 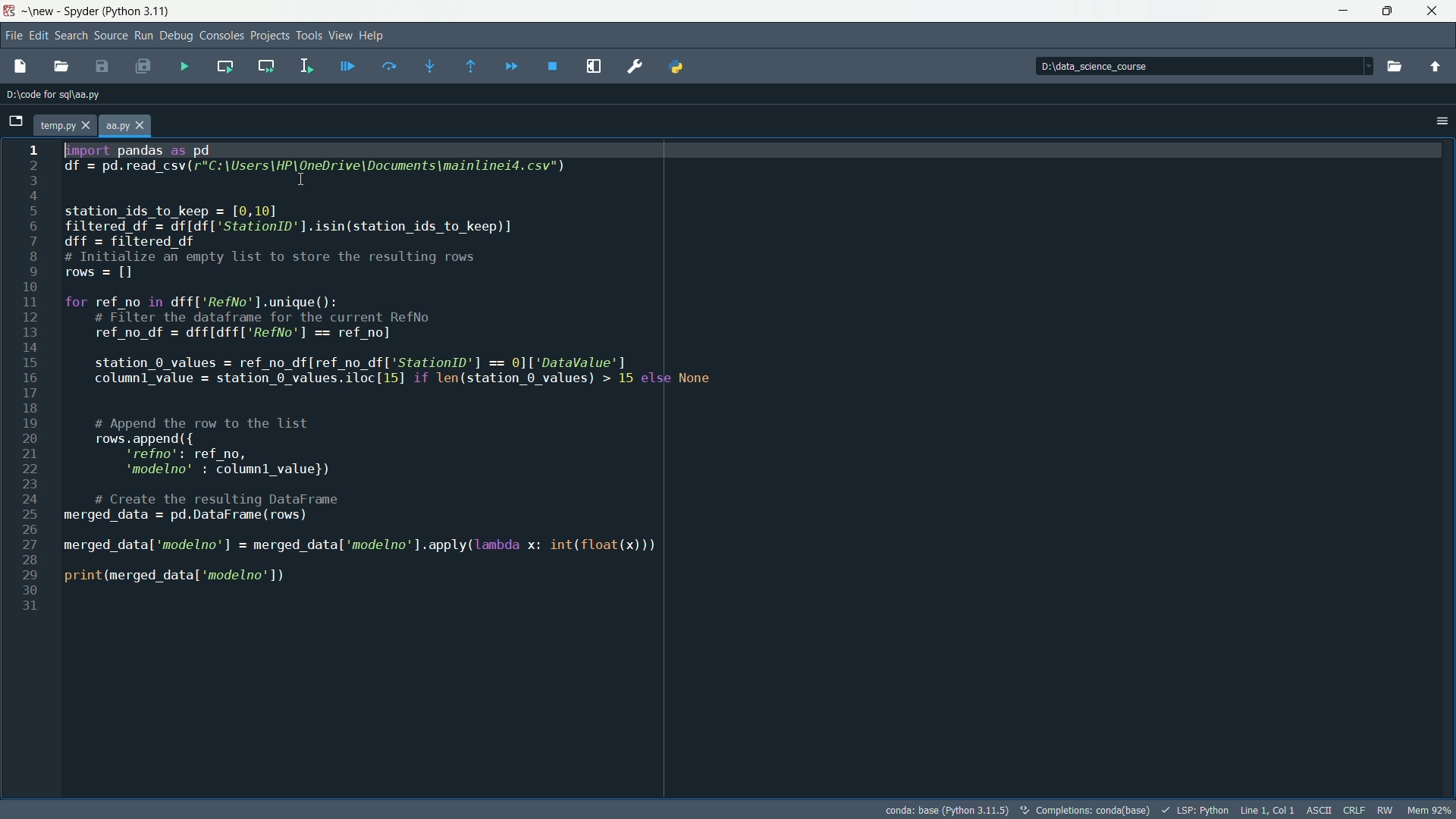 I want to click on maximize, so click(x=1387, y=11).